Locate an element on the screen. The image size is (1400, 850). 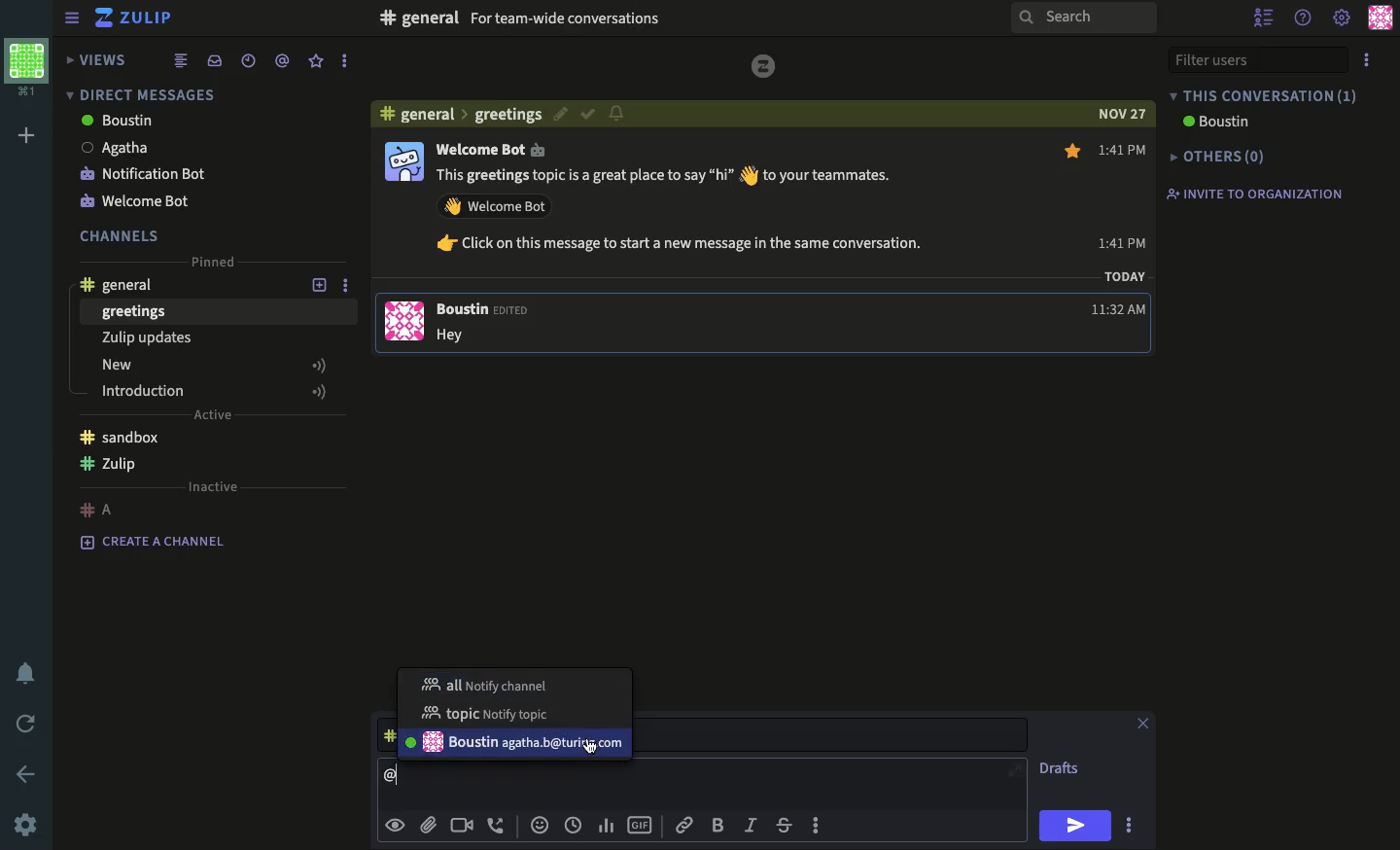
list view is located at coordinates (180, 59).